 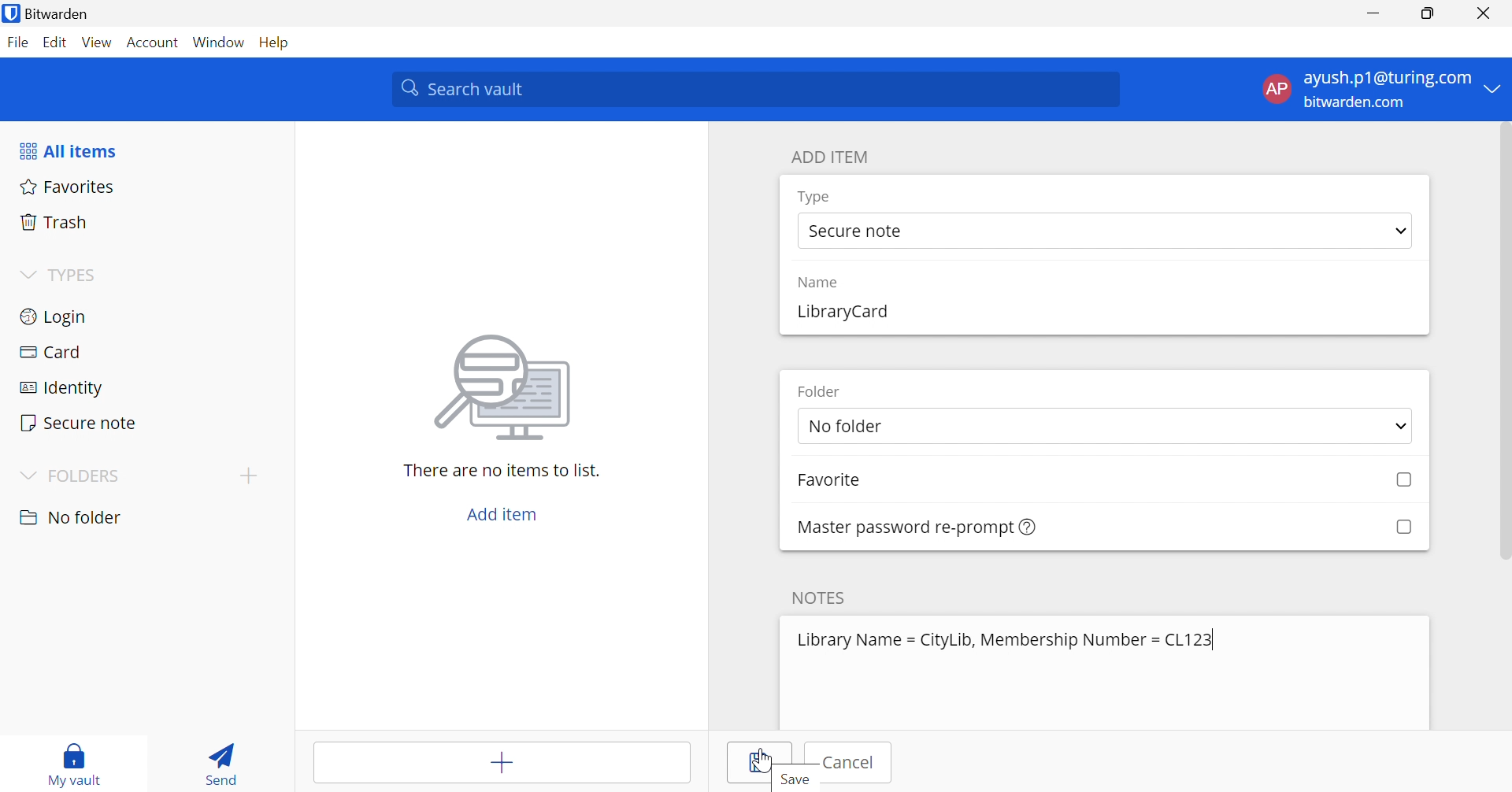 I want to click on select folder, so click(x=1105, y=426).